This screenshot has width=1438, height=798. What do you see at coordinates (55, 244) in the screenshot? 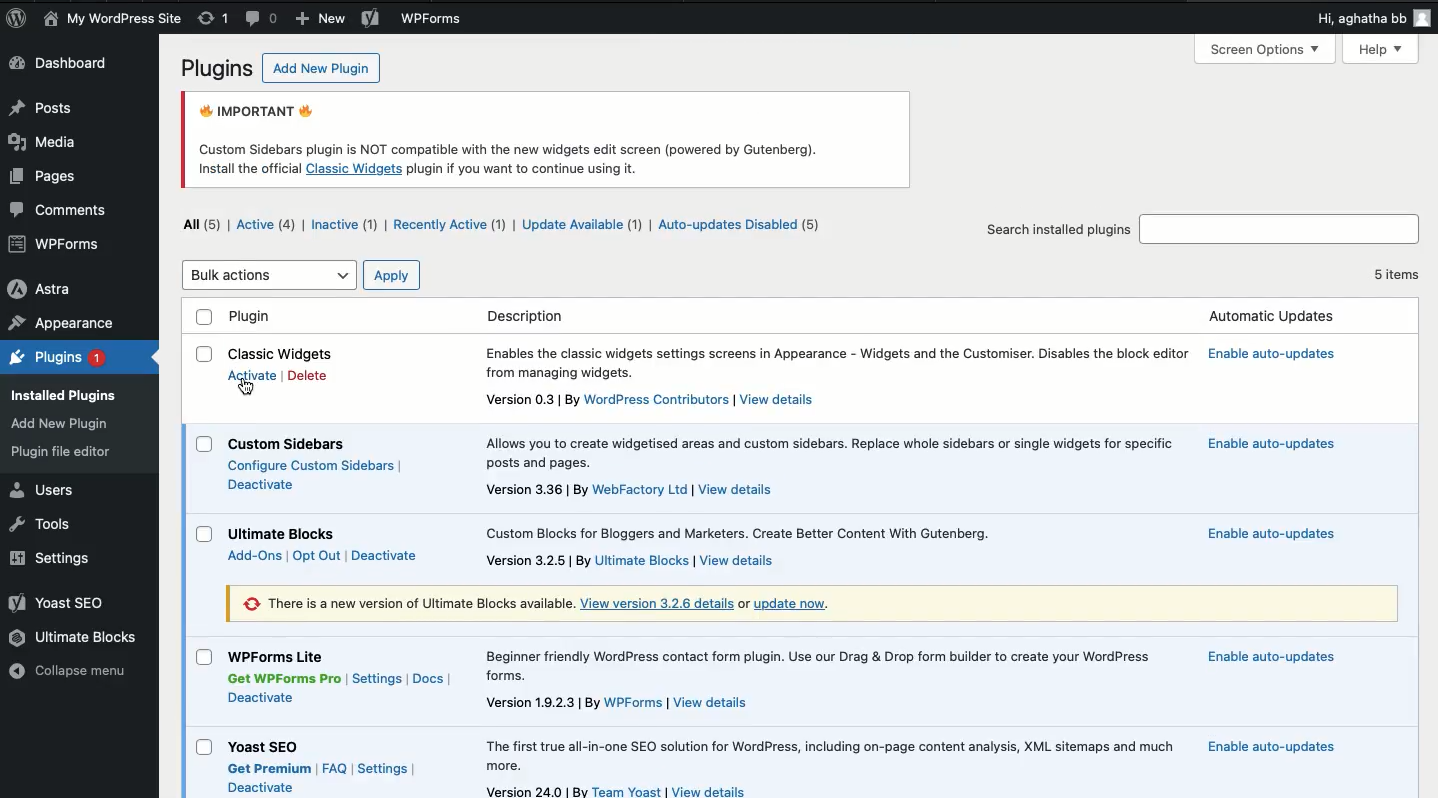
I see `WPForms` at bounding box center [55, 244].